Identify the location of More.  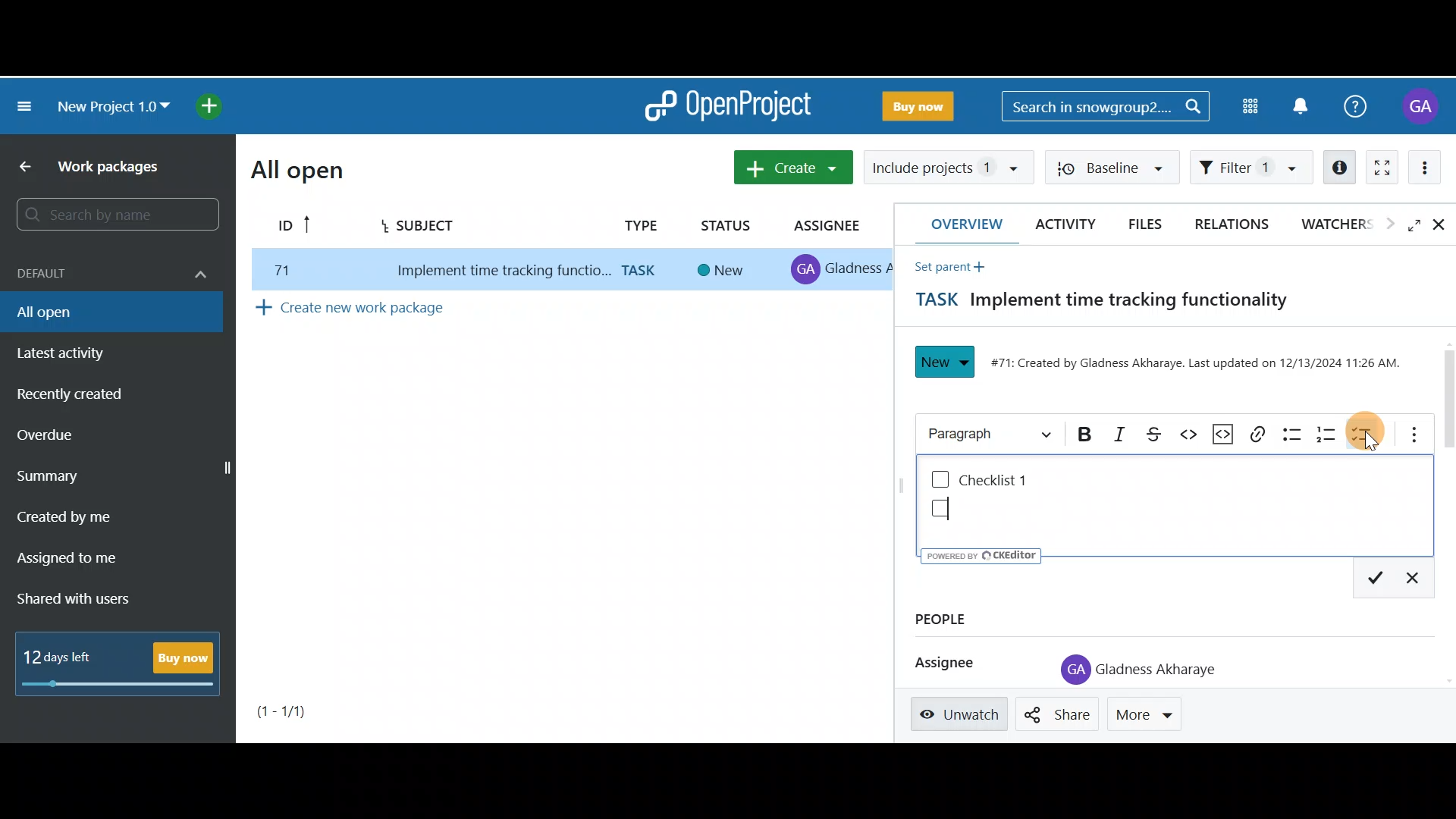
(1150, 711).